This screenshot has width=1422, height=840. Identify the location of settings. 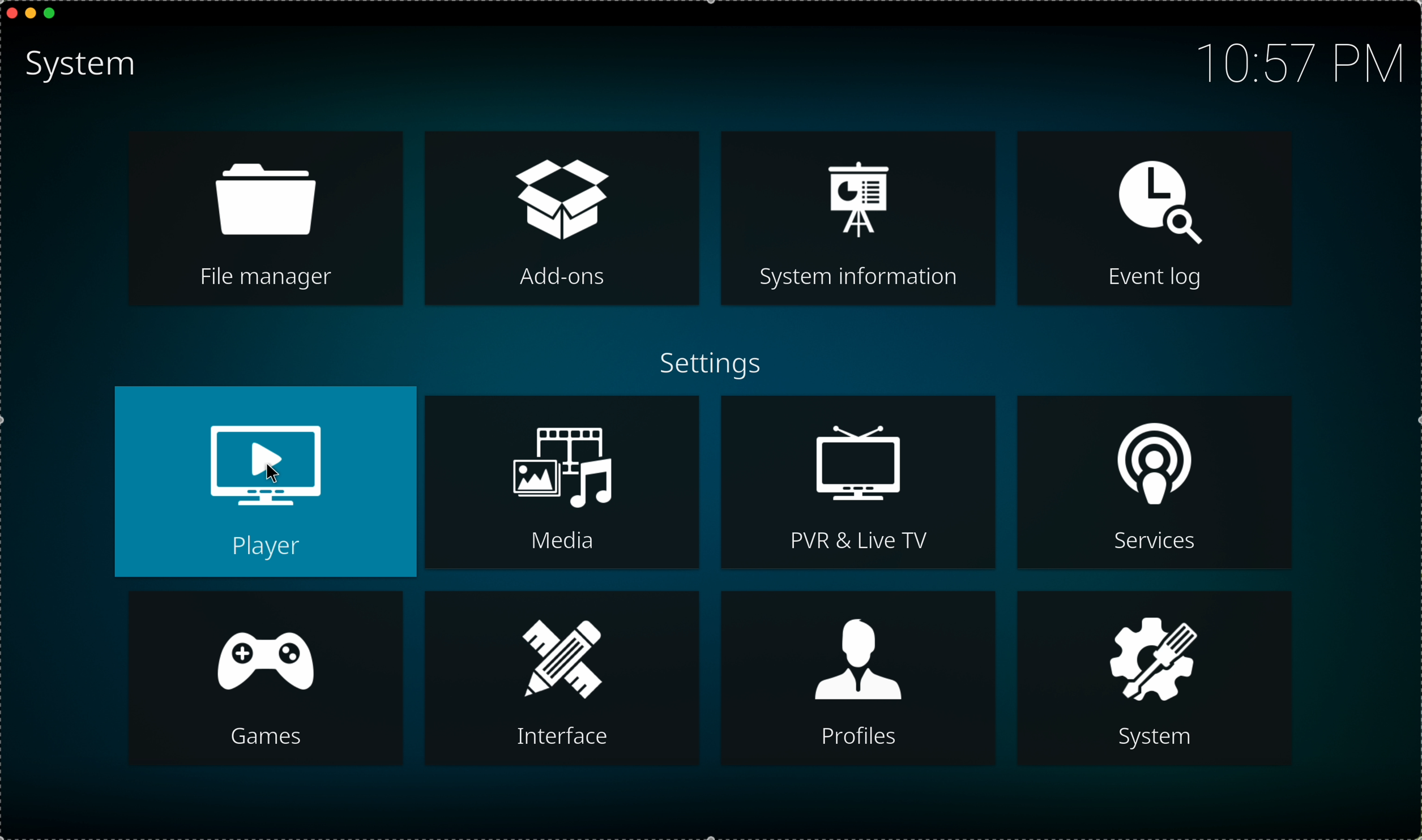
(709, 368).